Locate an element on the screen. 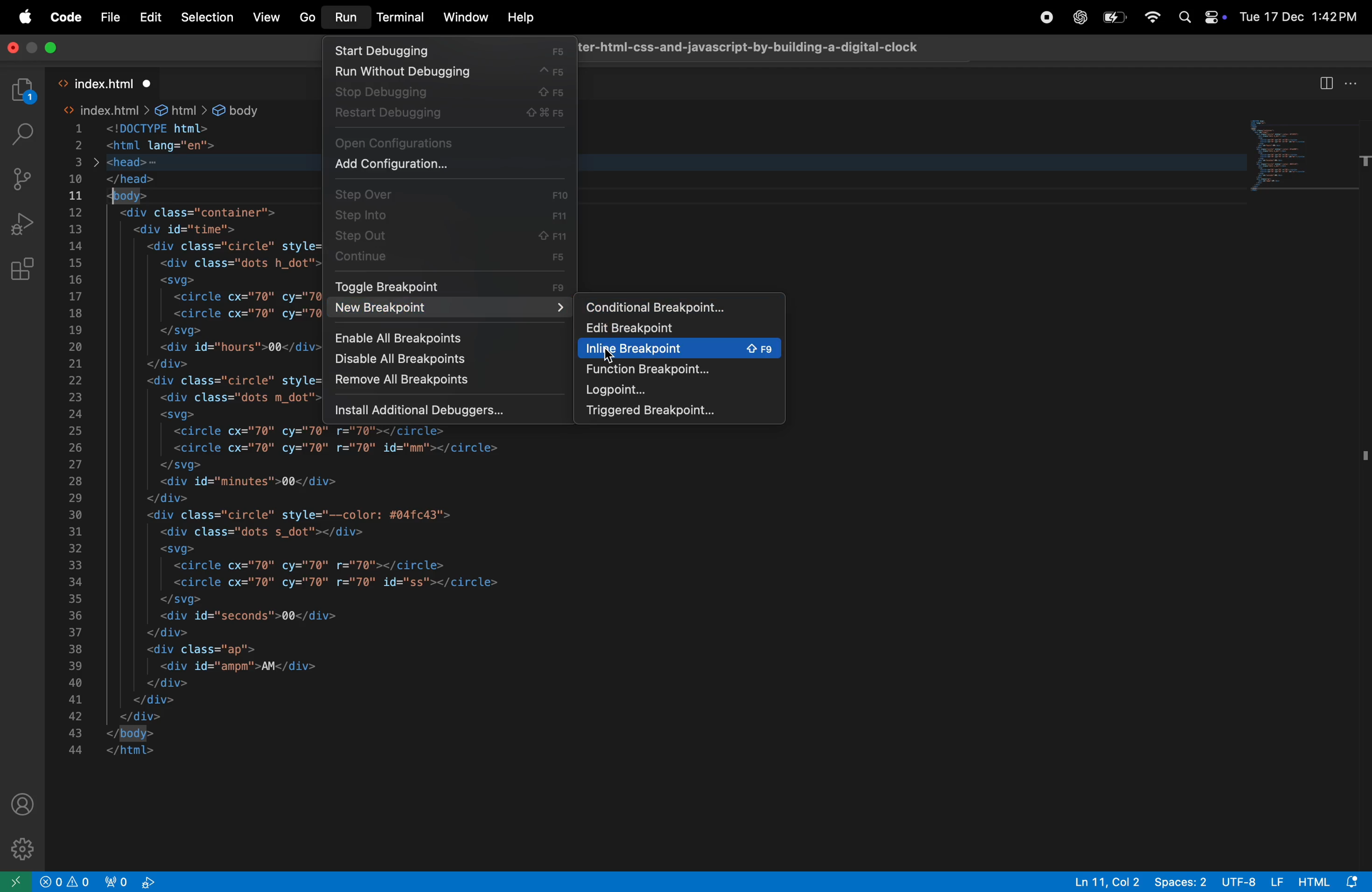  step into is located at coordinates (451, 213).